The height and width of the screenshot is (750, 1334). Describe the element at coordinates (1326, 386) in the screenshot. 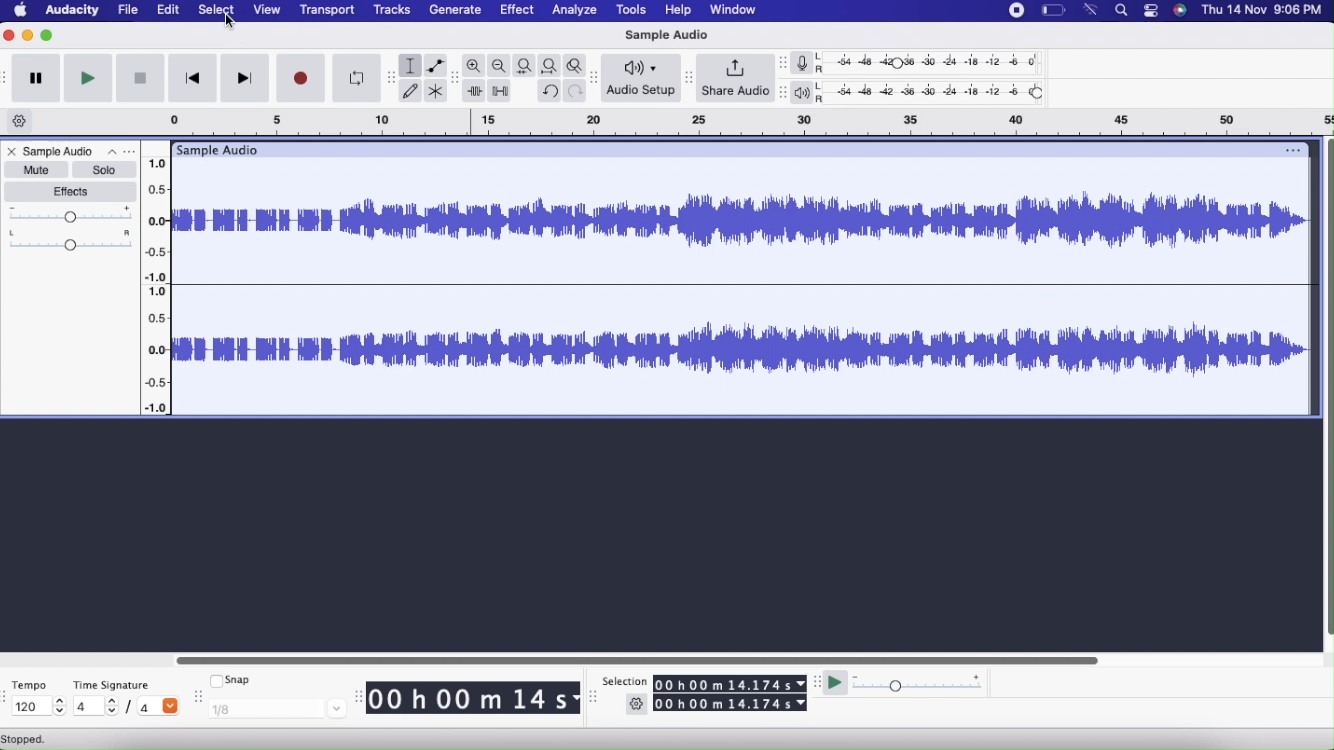

I see `Vertical scroll bar` at that location.